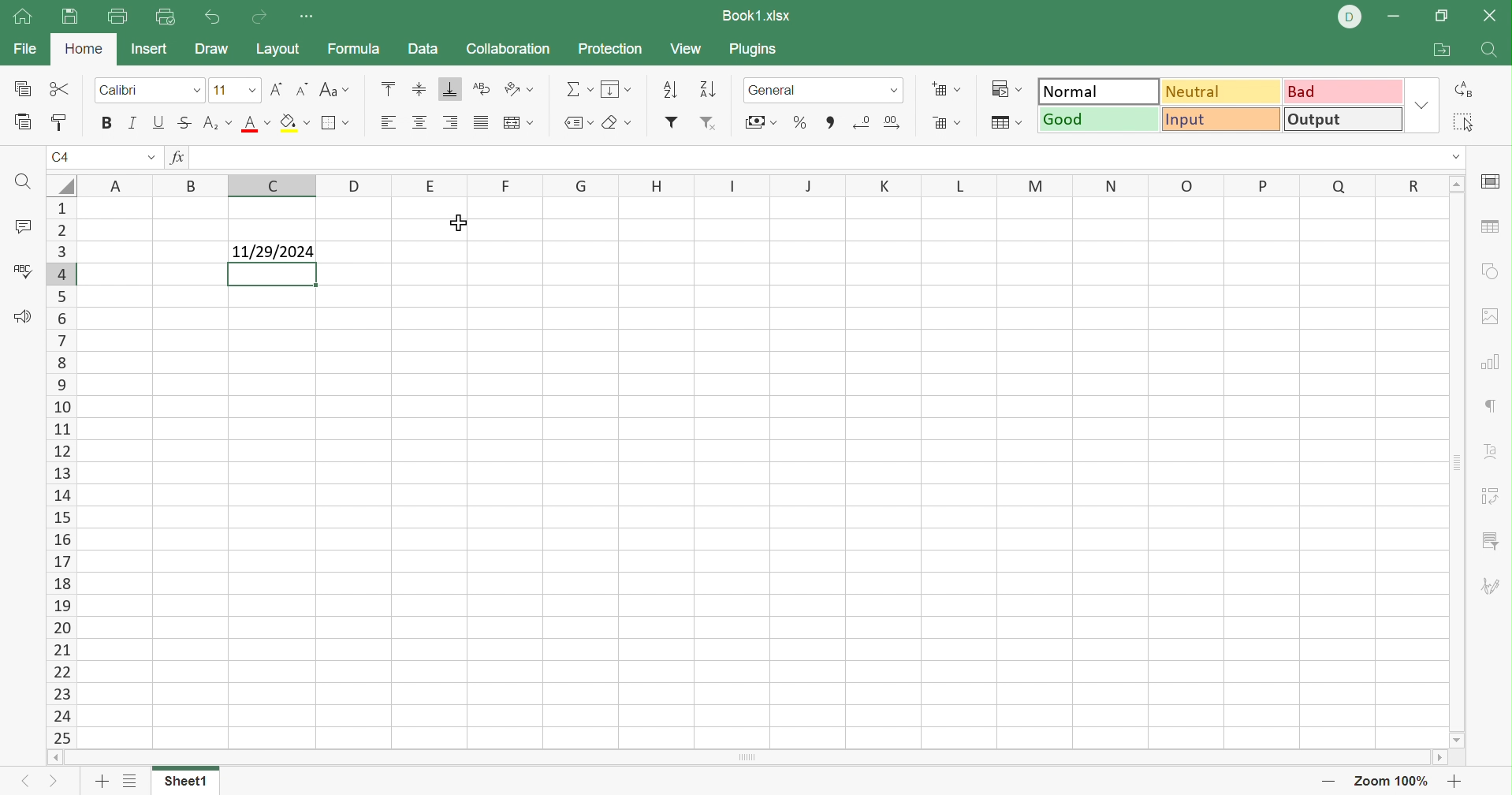 Image resolution: width=1512 pixels, height=795 pixels. What do you see at coordinates (1391, 780) in the screenshot?
I see `Zoom 100%` at bounding box center [1391, 780].